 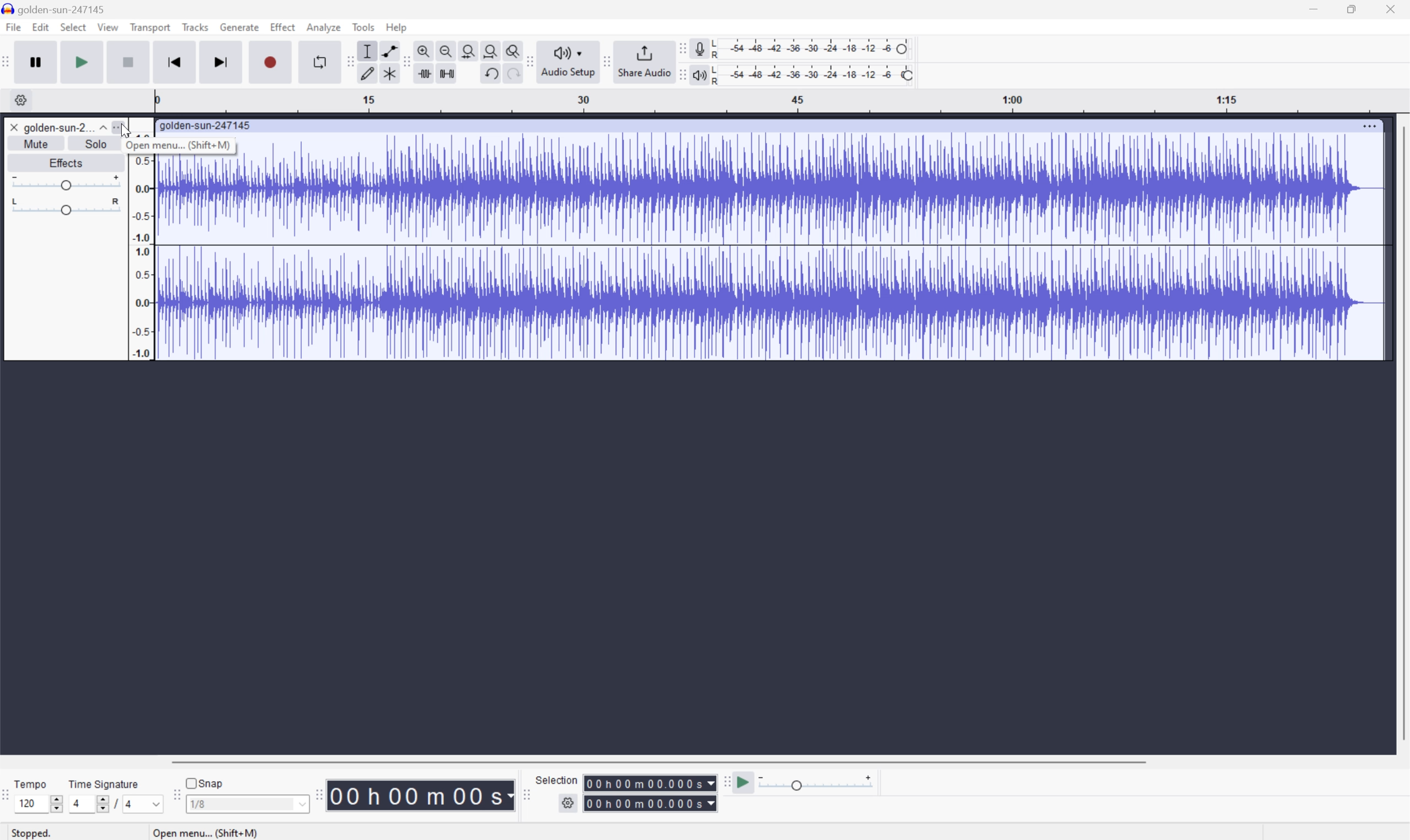 What do you see at coordinates (133, 804) in the screenshot?
I see `4` at bounding box center [133, 804].